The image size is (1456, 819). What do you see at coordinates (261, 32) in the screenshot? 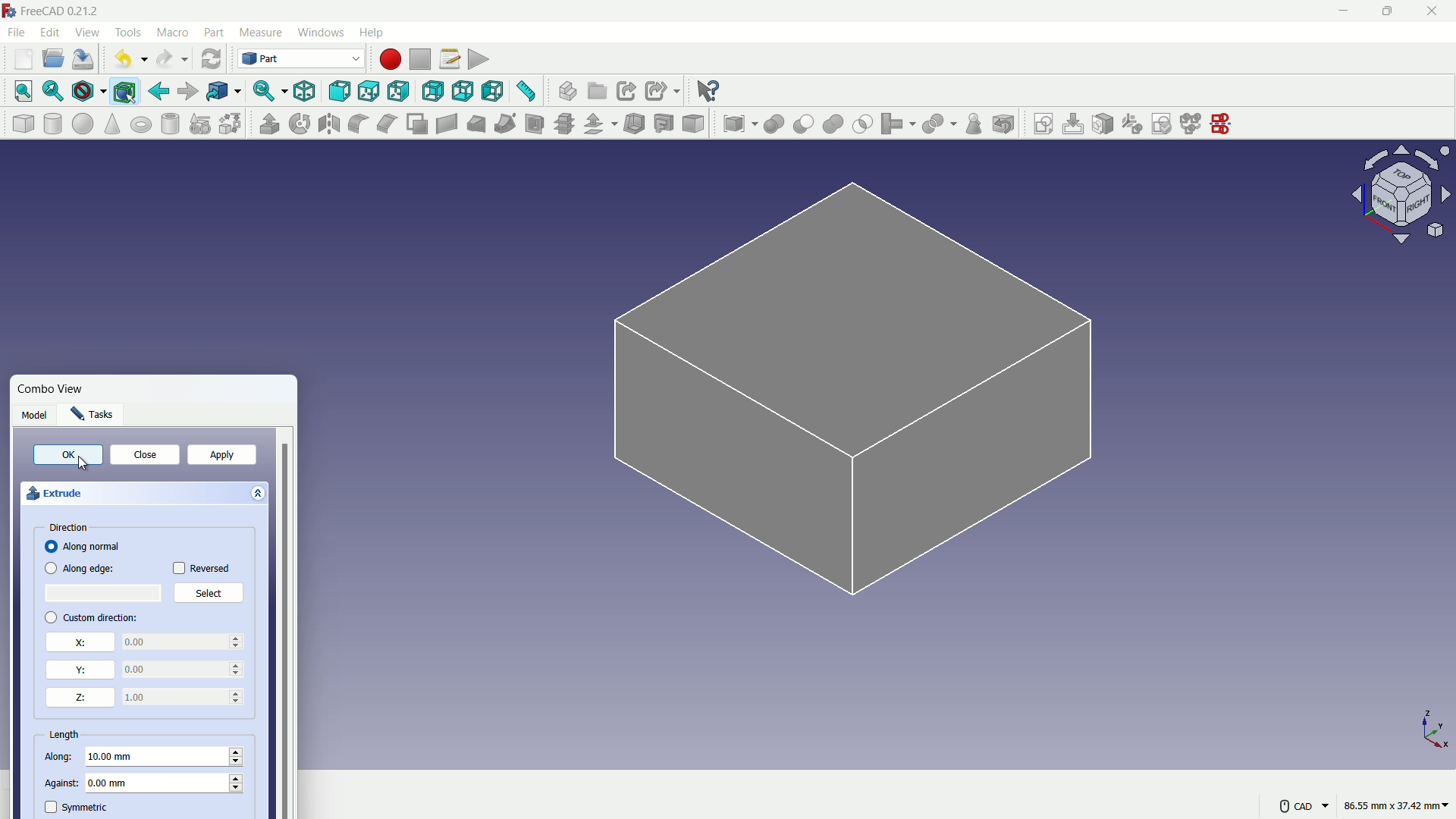
I see `measure` at bounding box center [261, 32].